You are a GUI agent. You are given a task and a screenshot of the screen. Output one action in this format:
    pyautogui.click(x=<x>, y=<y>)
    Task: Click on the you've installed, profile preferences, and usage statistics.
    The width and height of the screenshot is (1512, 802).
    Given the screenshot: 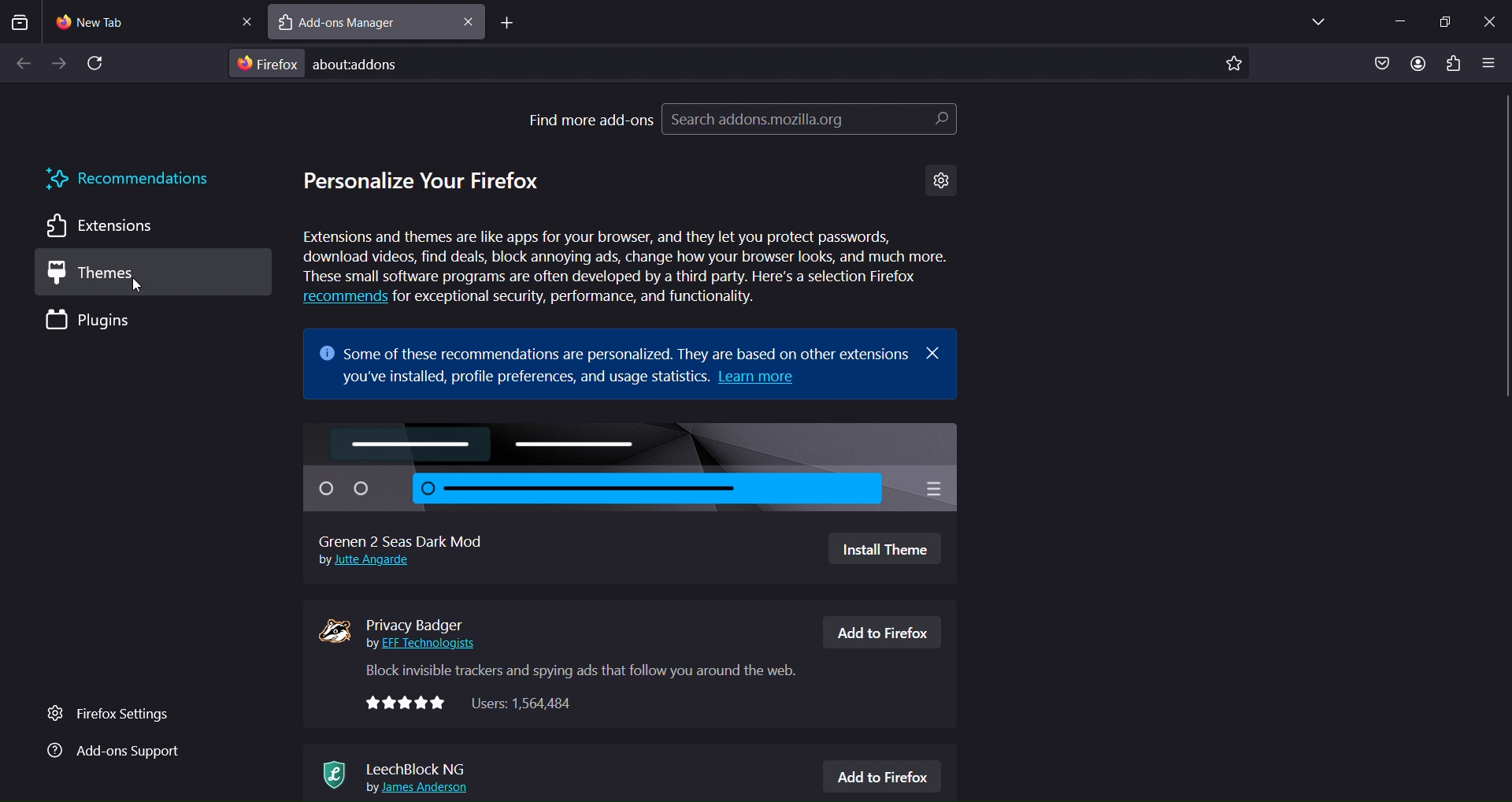 What is the action you would take?
    pyautogui.click(x=524, y=377)
    